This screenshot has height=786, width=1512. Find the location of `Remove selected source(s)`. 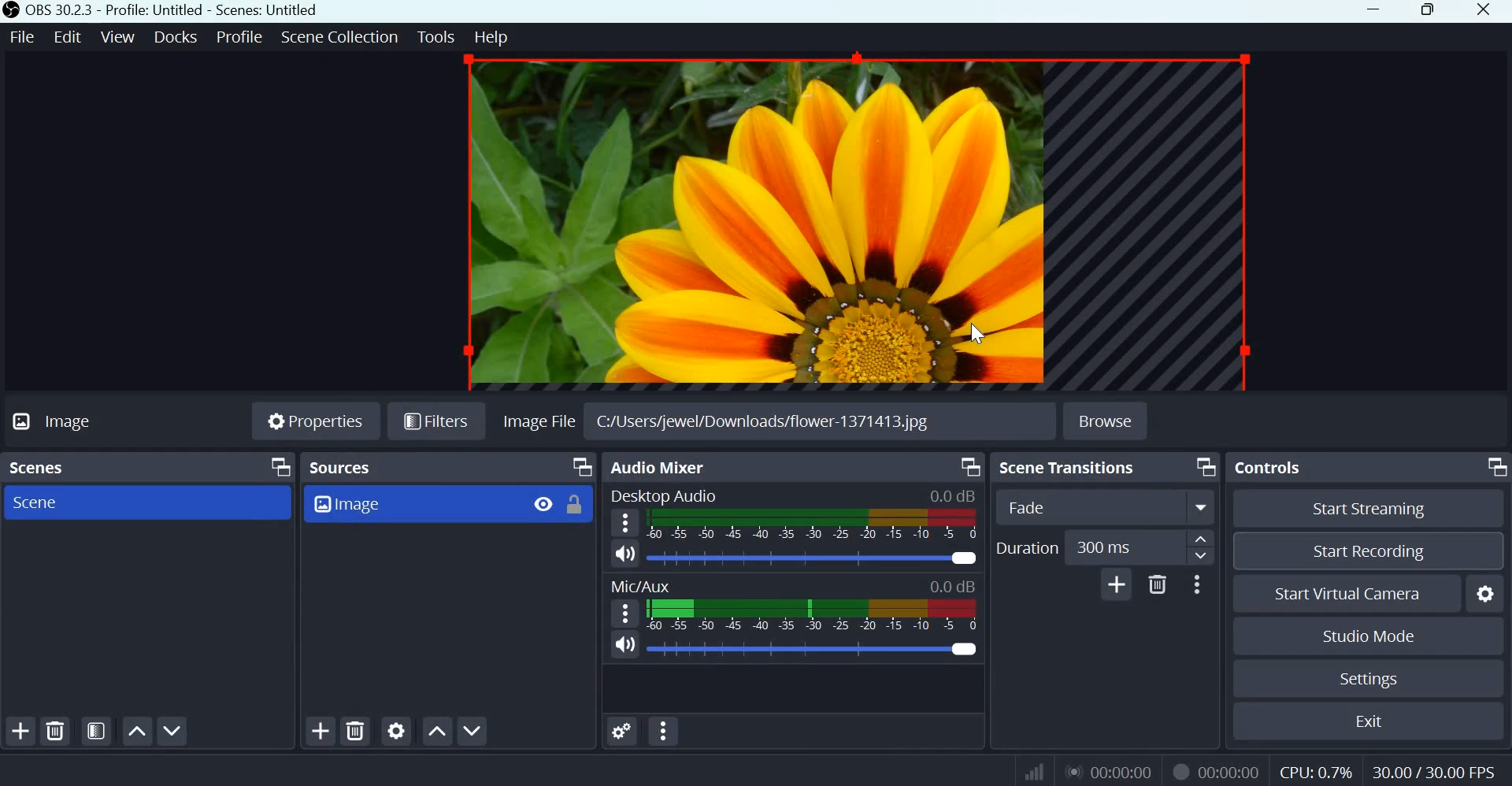

Remove selected source(s) is located at coordinates (357, 729).